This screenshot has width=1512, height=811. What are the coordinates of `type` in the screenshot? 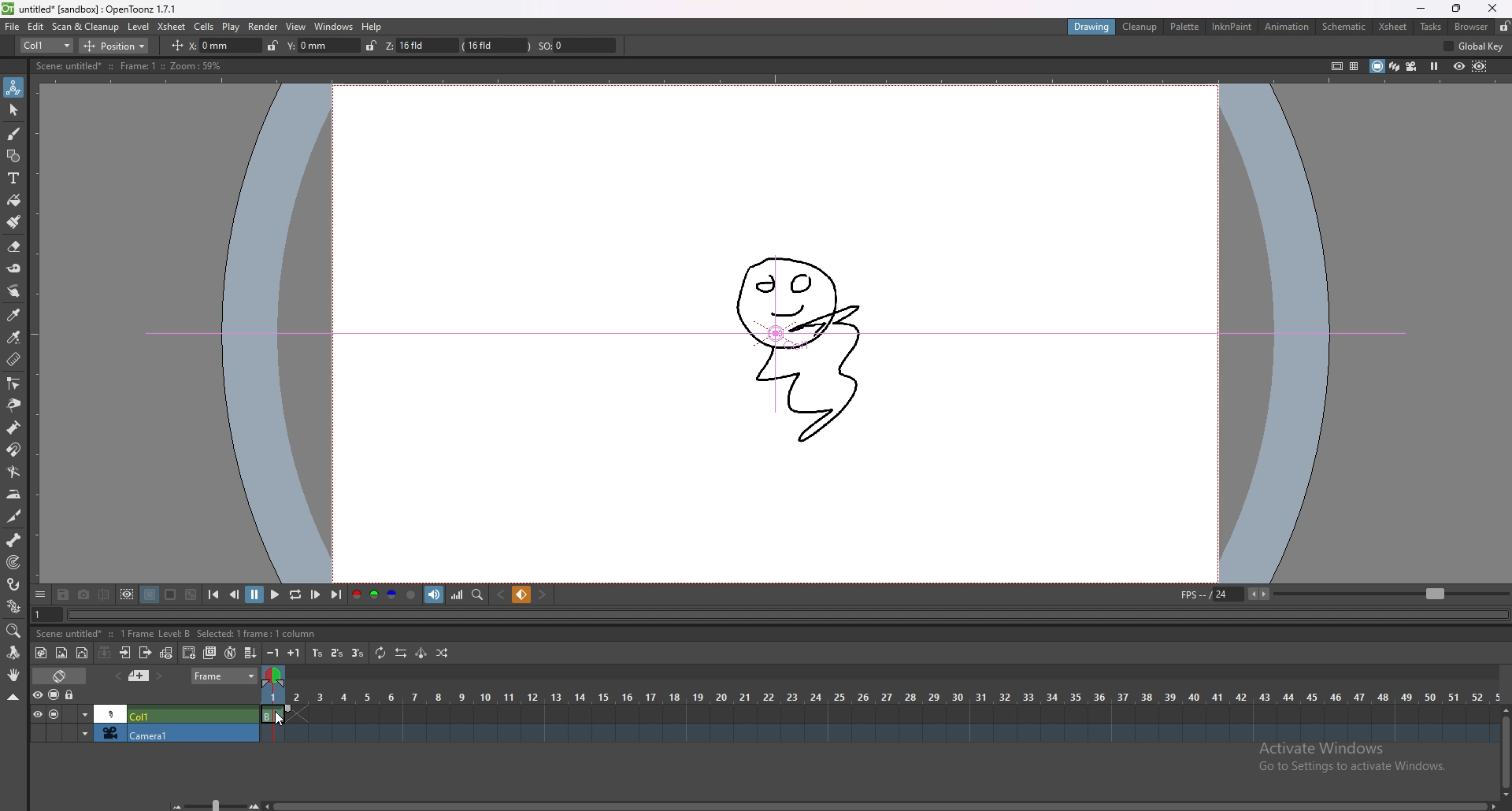 It's located at (46, 46).